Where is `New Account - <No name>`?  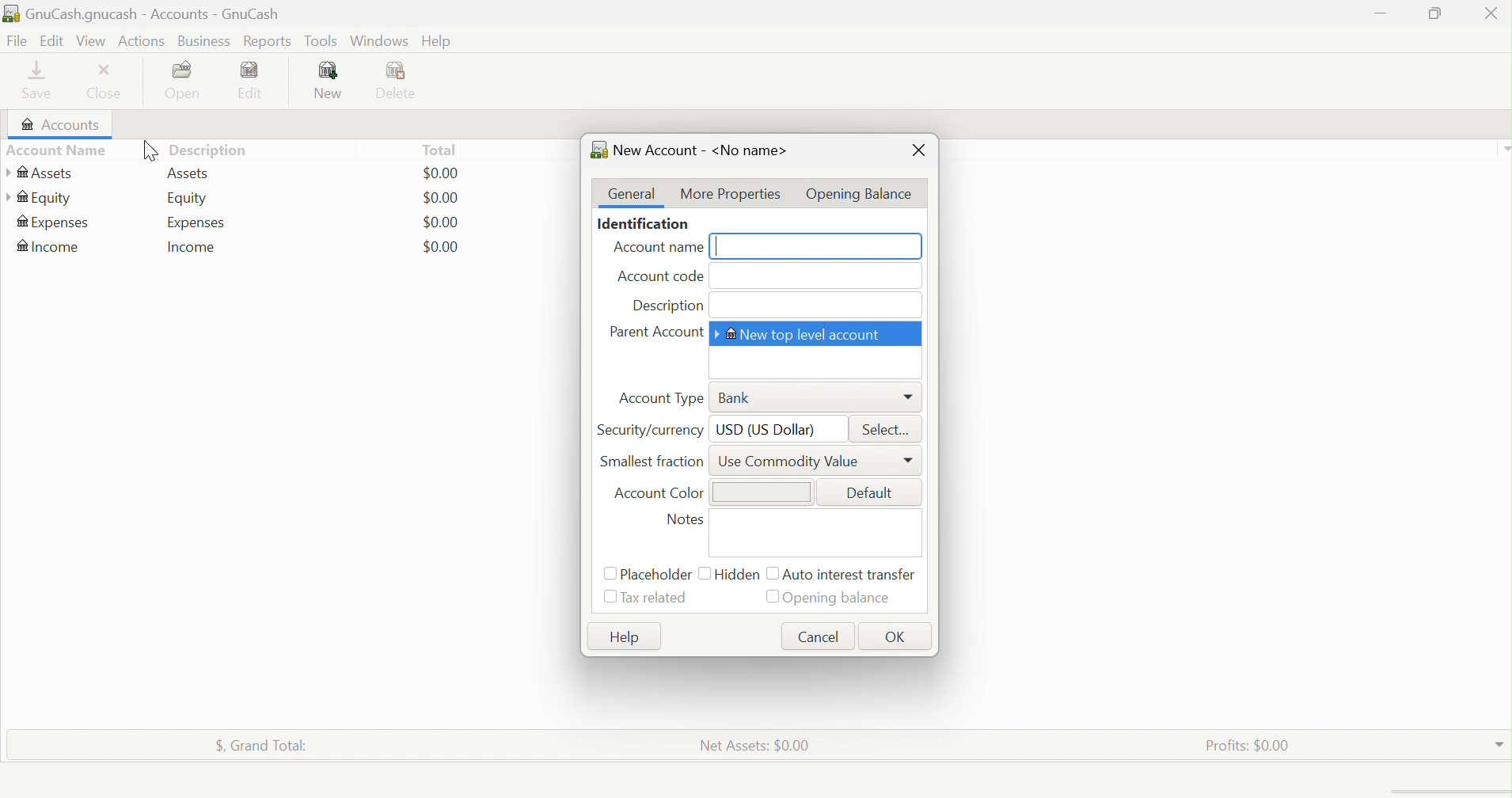 New Account - <No name> is located at coordinates (692, 148).